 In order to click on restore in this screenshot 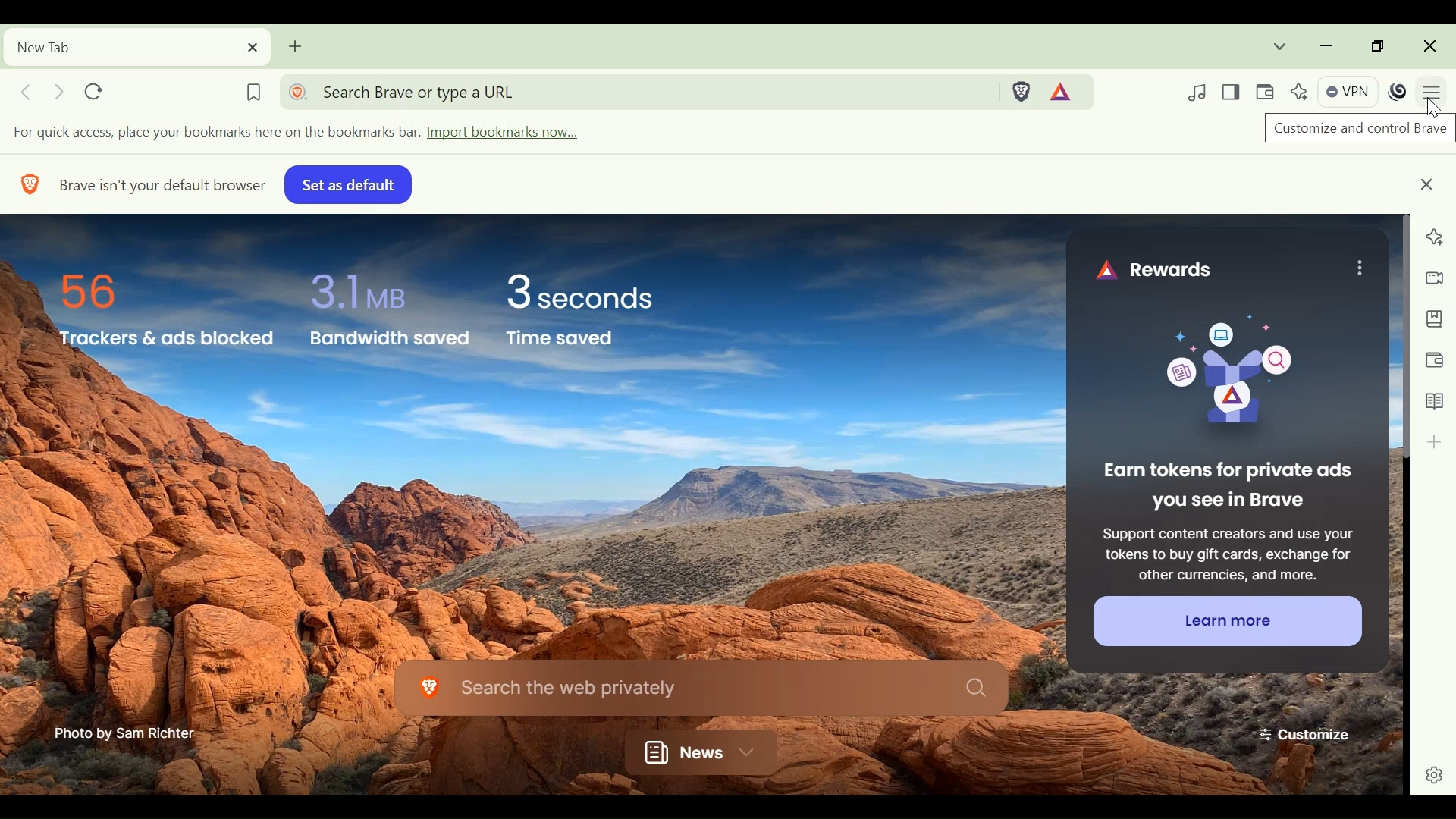, I will do `click(1373, 45)`.